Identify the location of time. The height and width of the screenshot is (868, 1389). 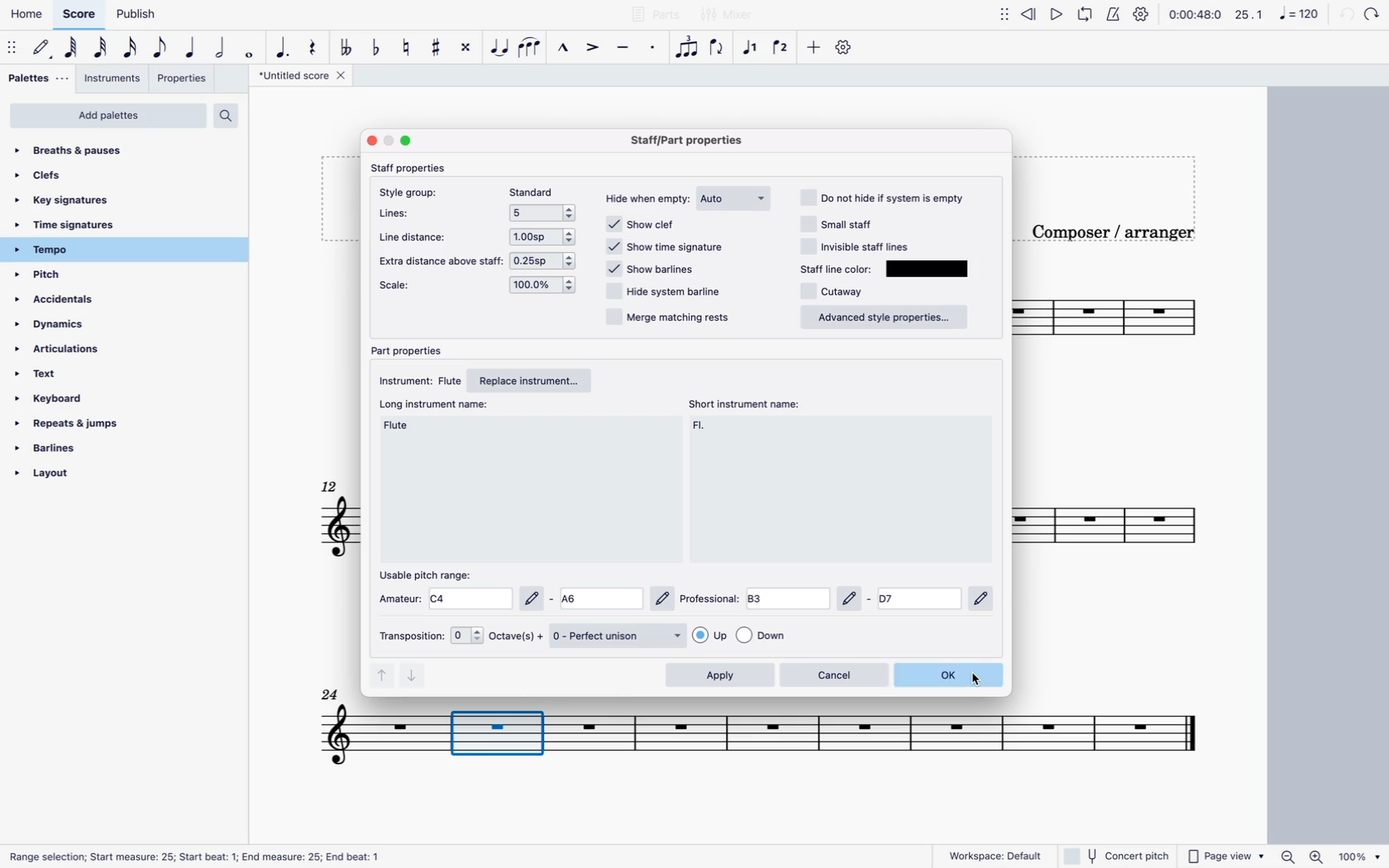
(1195, 15).